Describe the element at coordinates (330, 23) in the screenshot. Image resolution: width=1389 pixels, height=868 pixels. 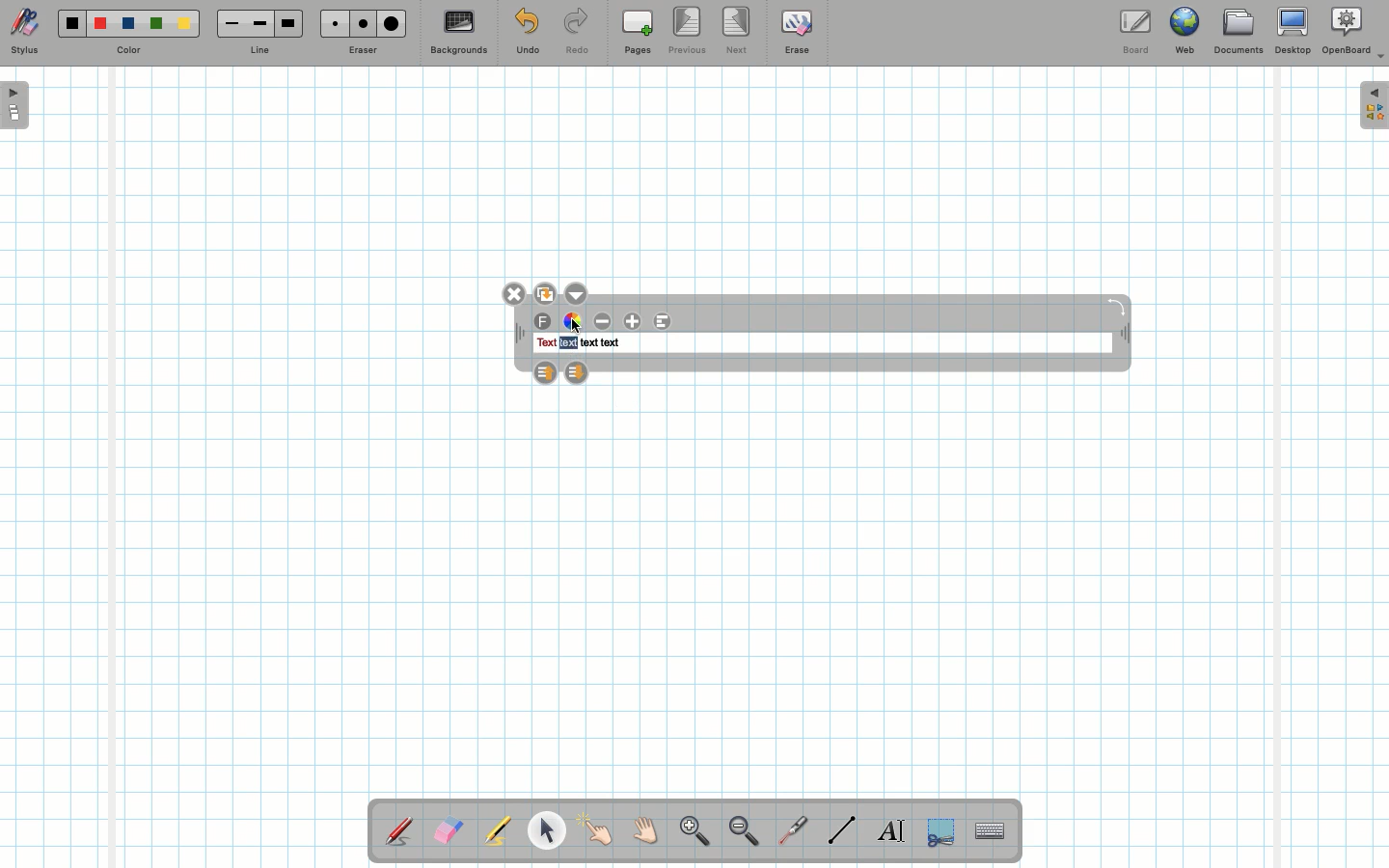
I see `Small eraser` at that location.